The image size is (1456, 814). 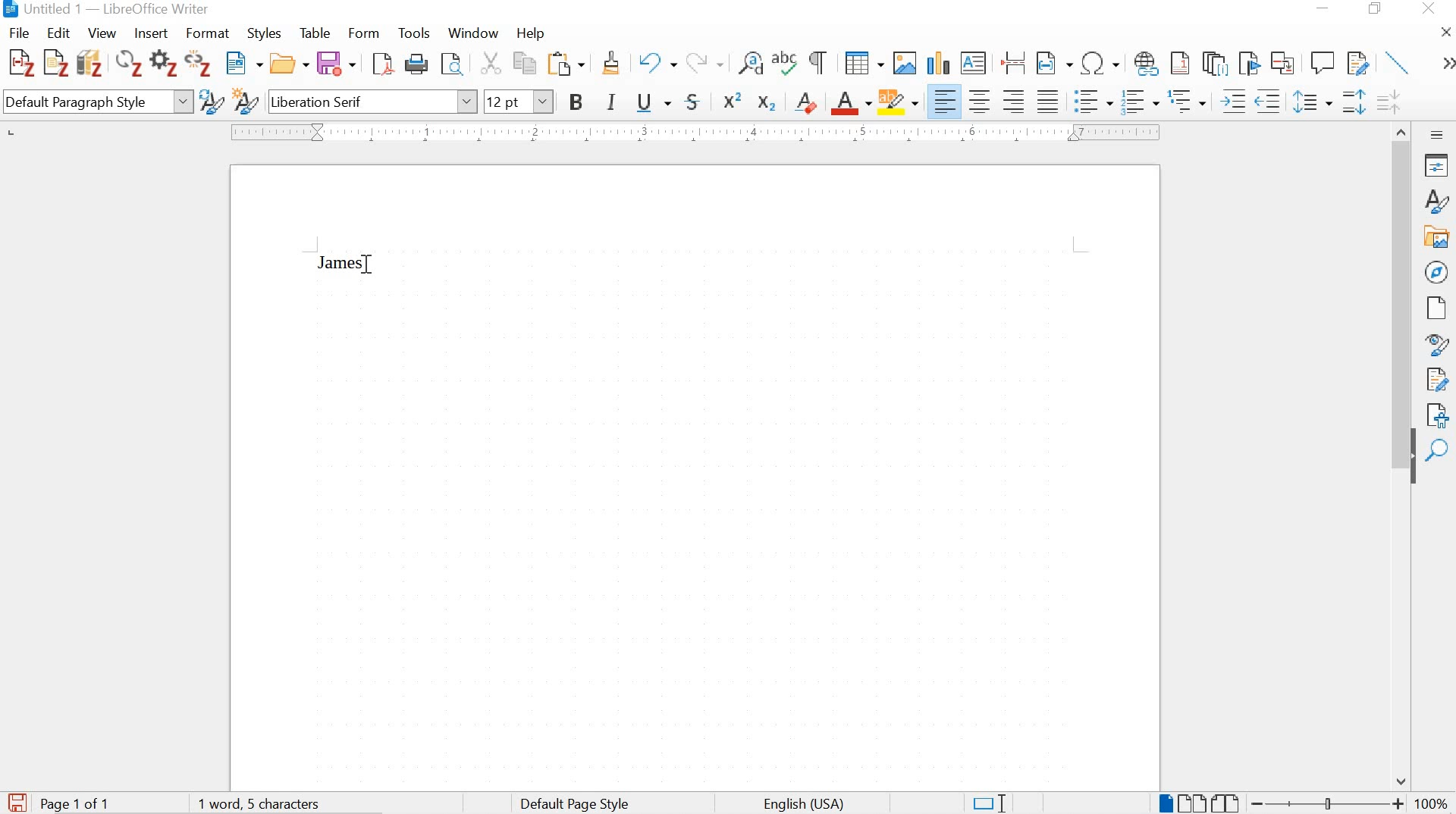 What do you see at coordinates (786, 65) in the screenshot?
I see `check spelling` at bounding box center [786, 65].